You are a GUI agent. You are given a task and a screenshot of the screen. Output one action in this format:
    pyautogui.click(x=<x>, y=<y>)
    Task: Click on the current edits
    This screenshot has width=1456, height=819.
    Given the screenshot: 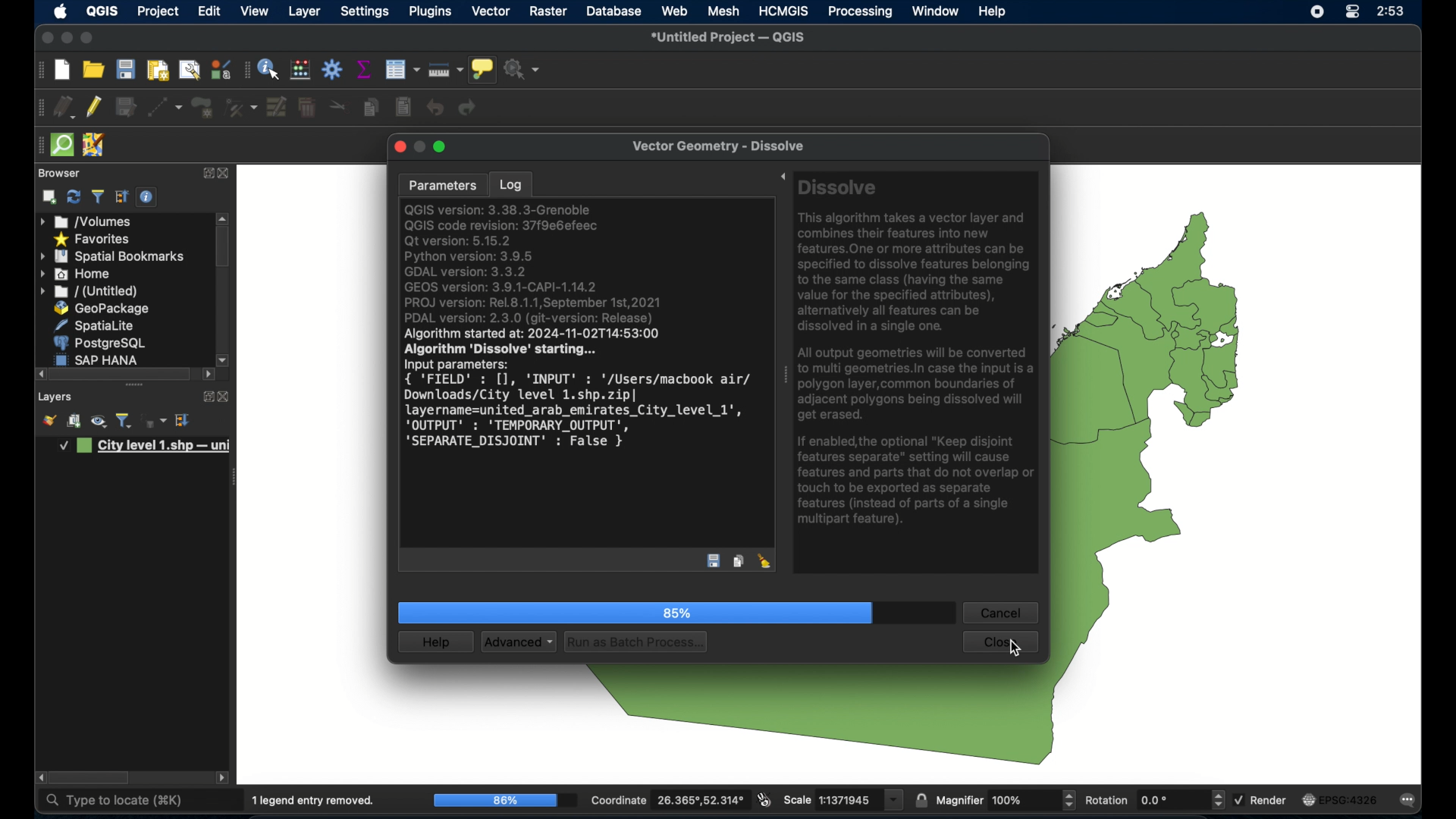 What is the action you would take?
    pyautogui.click(x=64, y=107)
    